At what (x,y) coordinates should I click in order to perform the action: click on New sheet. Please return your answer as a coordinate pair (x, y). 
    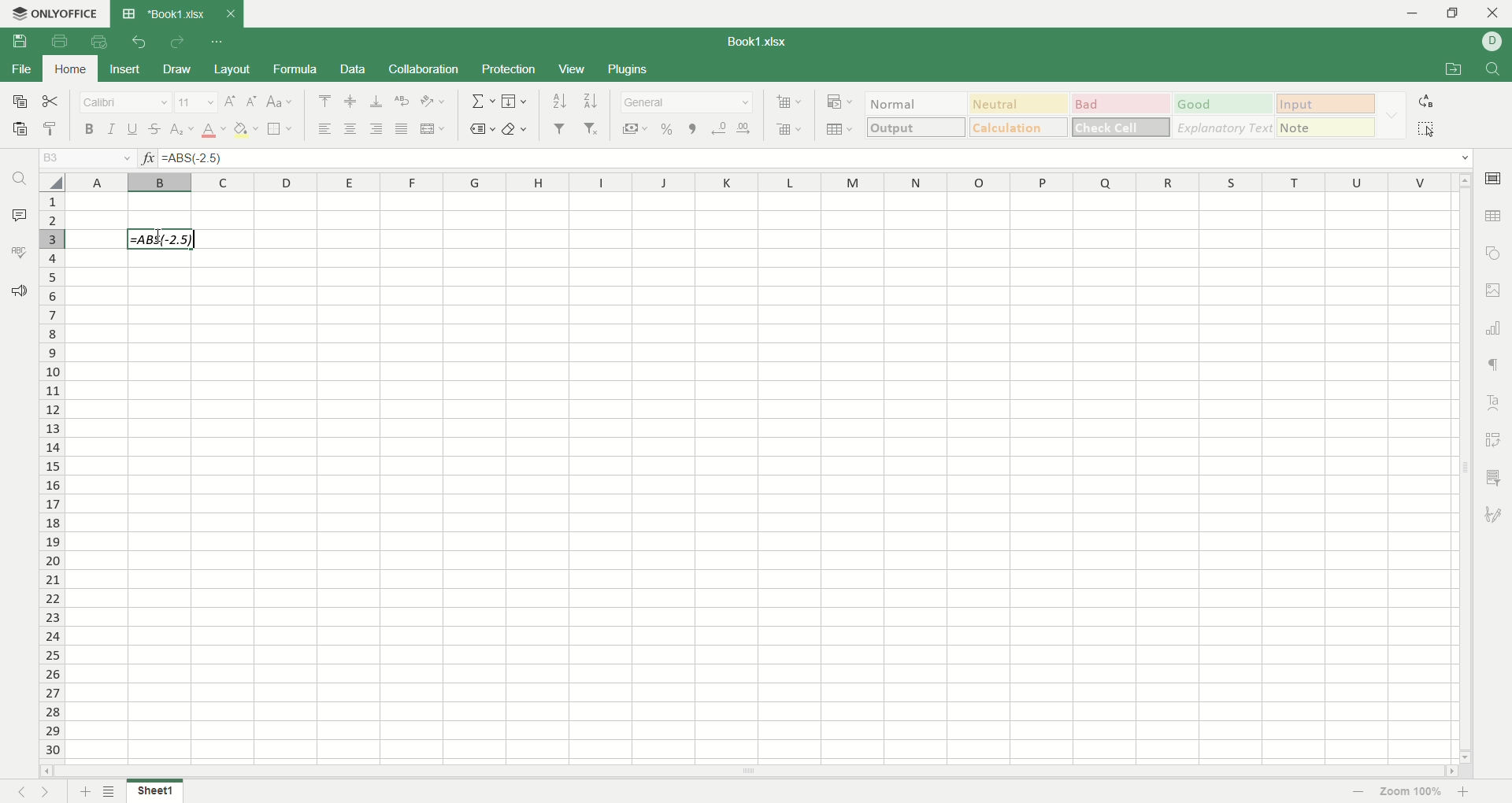
    Looking at the image, I should click on (86, 790).